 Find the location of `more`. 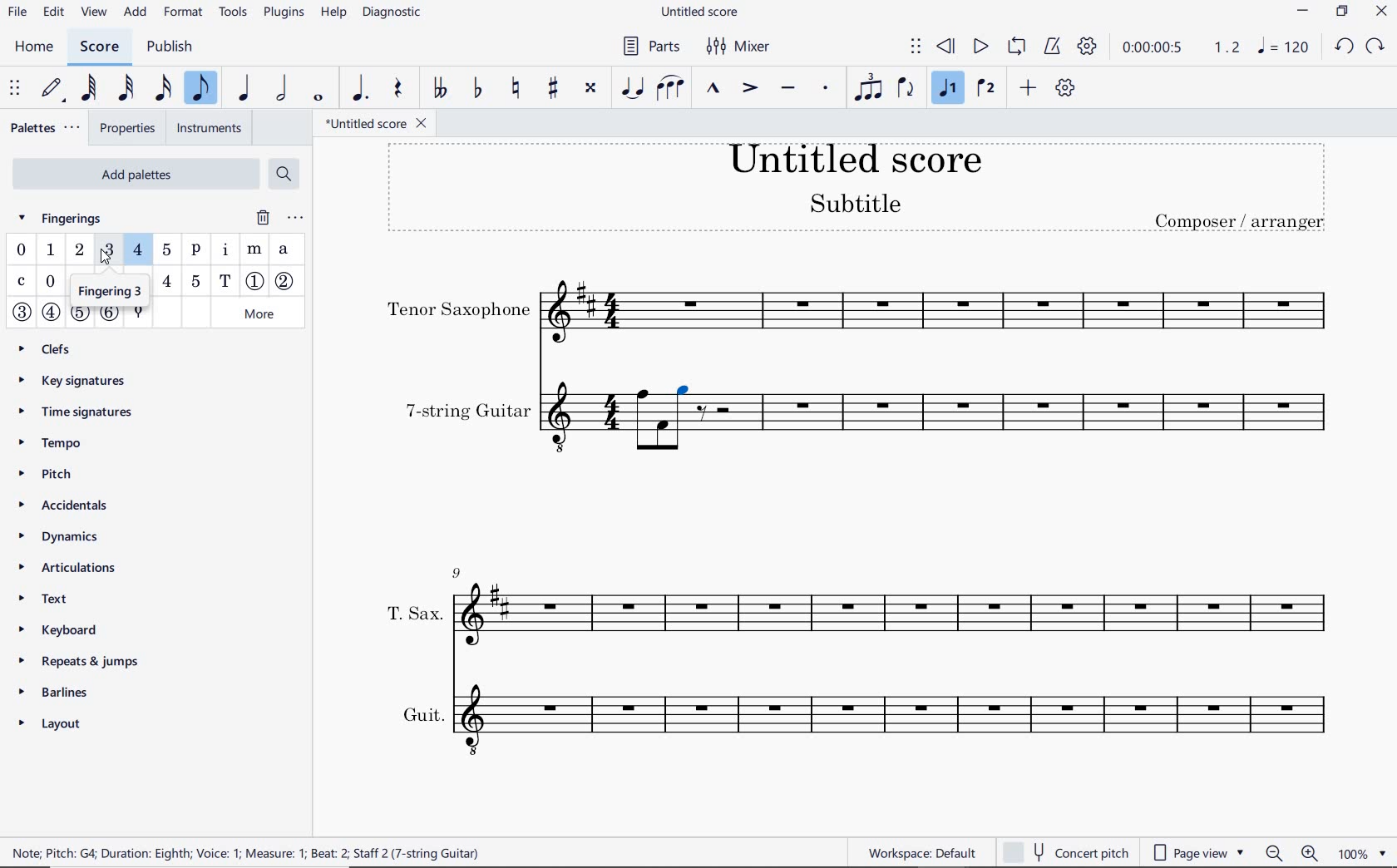

more is located at coordinates (261, 313).